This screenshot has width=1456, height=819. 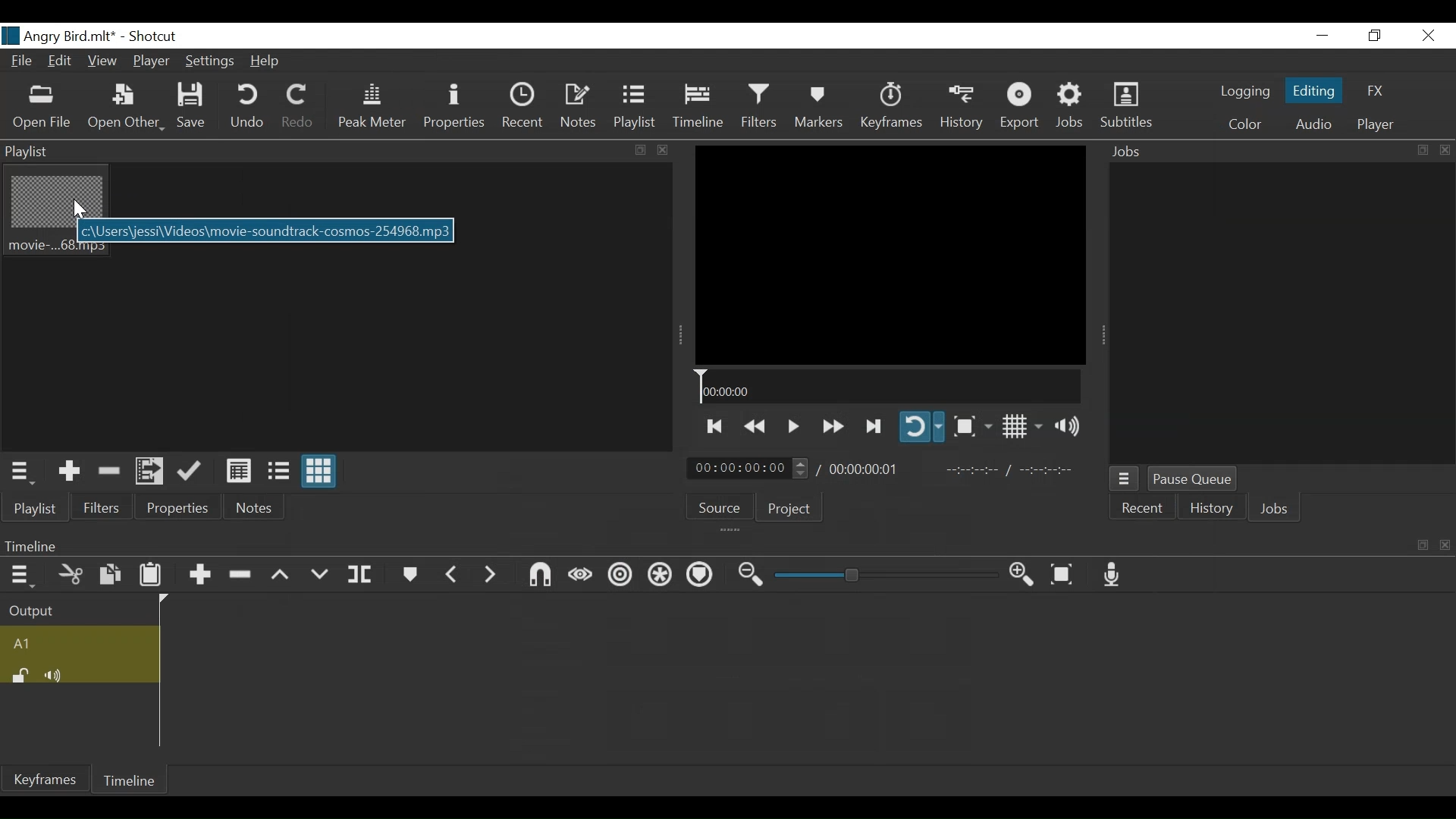 What do you see at coordinates (409, 573) in the screenshot?
I see `Markers` at bounding box center [409, 573].